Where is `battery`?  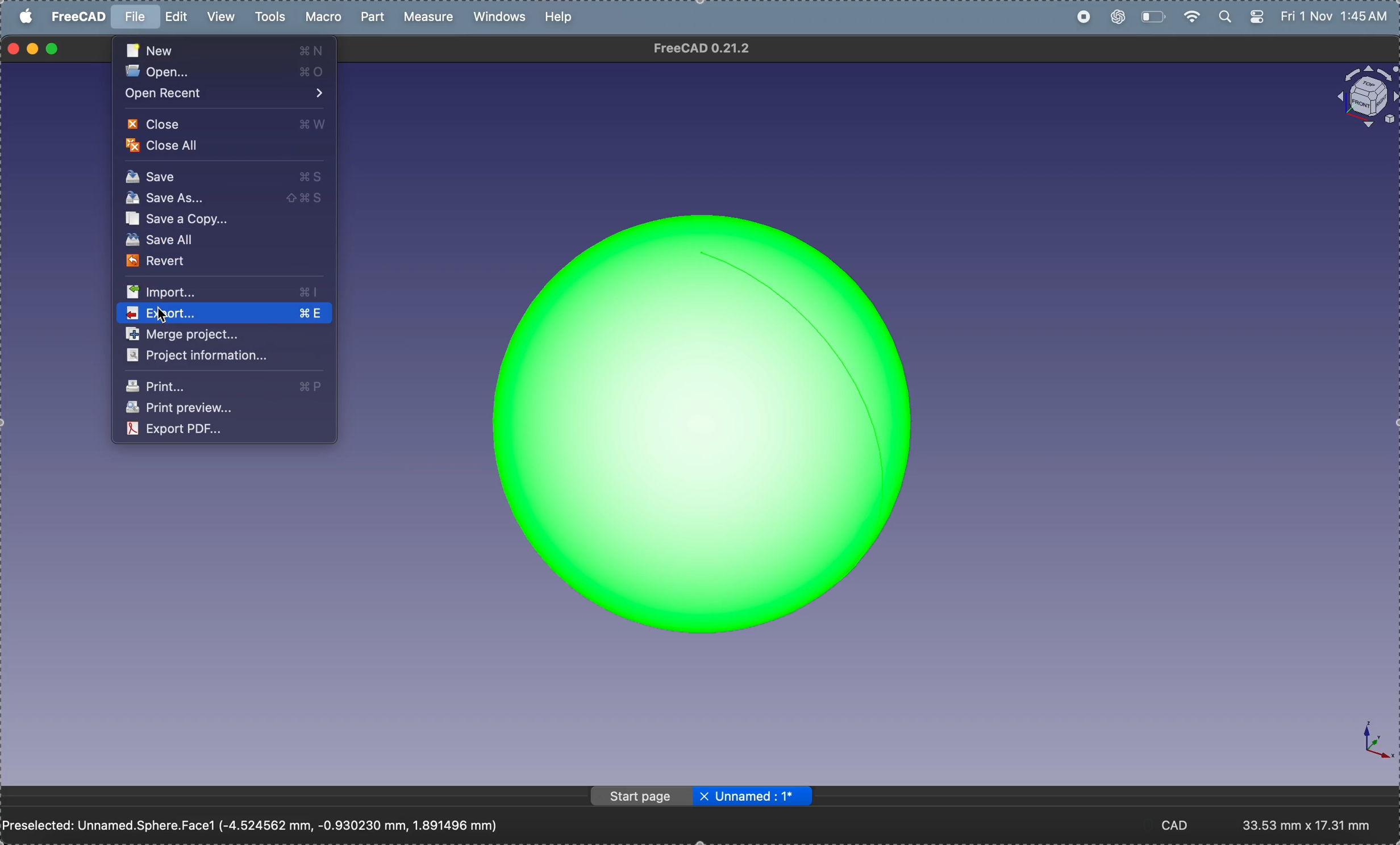
battery is located at coordinates (1153, 16).